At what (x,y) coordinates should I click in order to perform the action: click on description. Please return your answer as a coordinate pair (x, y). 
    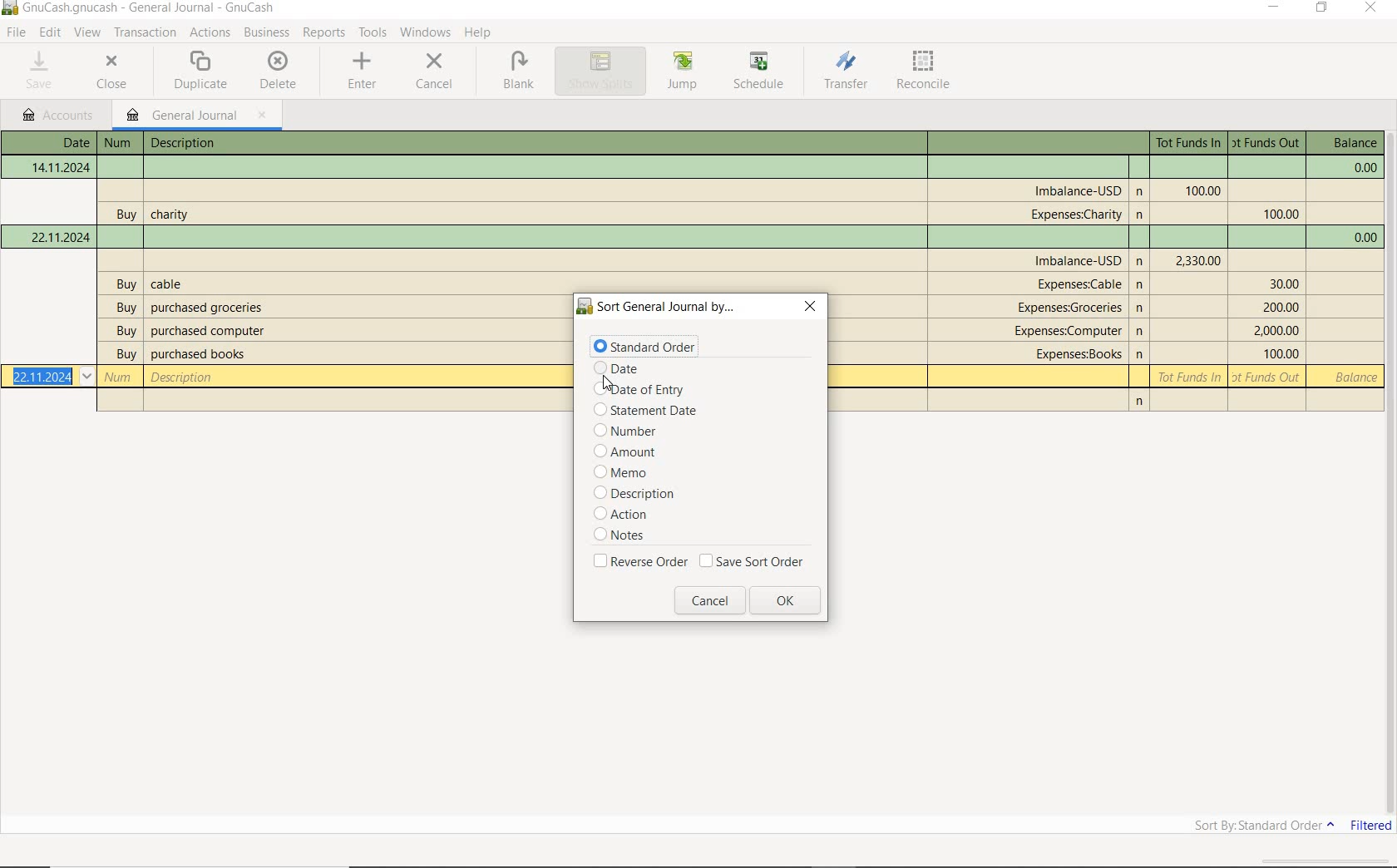
    Looking at the image, I should click on (643, 494).